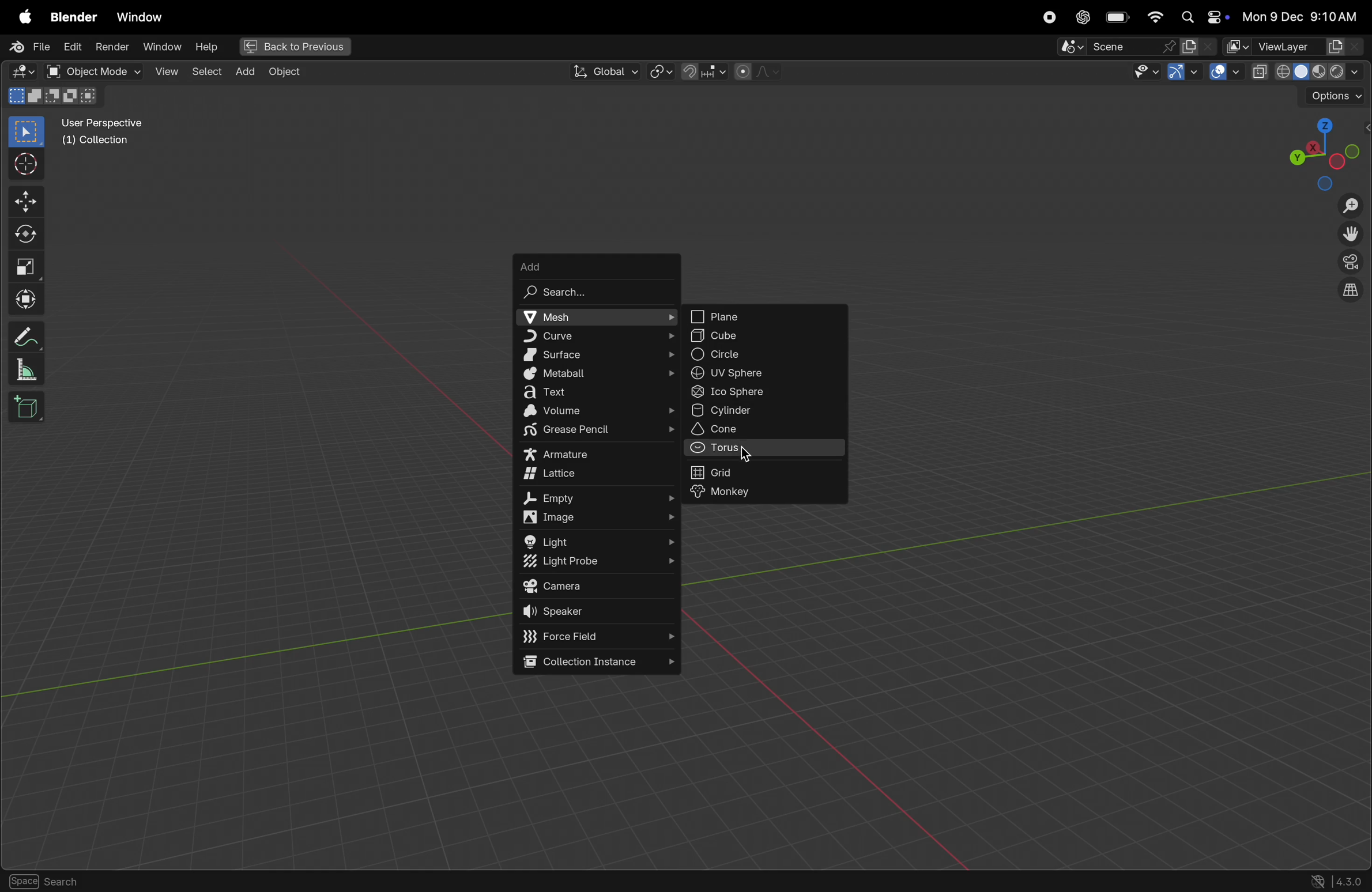  I want to click on scale, so click(28, 266).